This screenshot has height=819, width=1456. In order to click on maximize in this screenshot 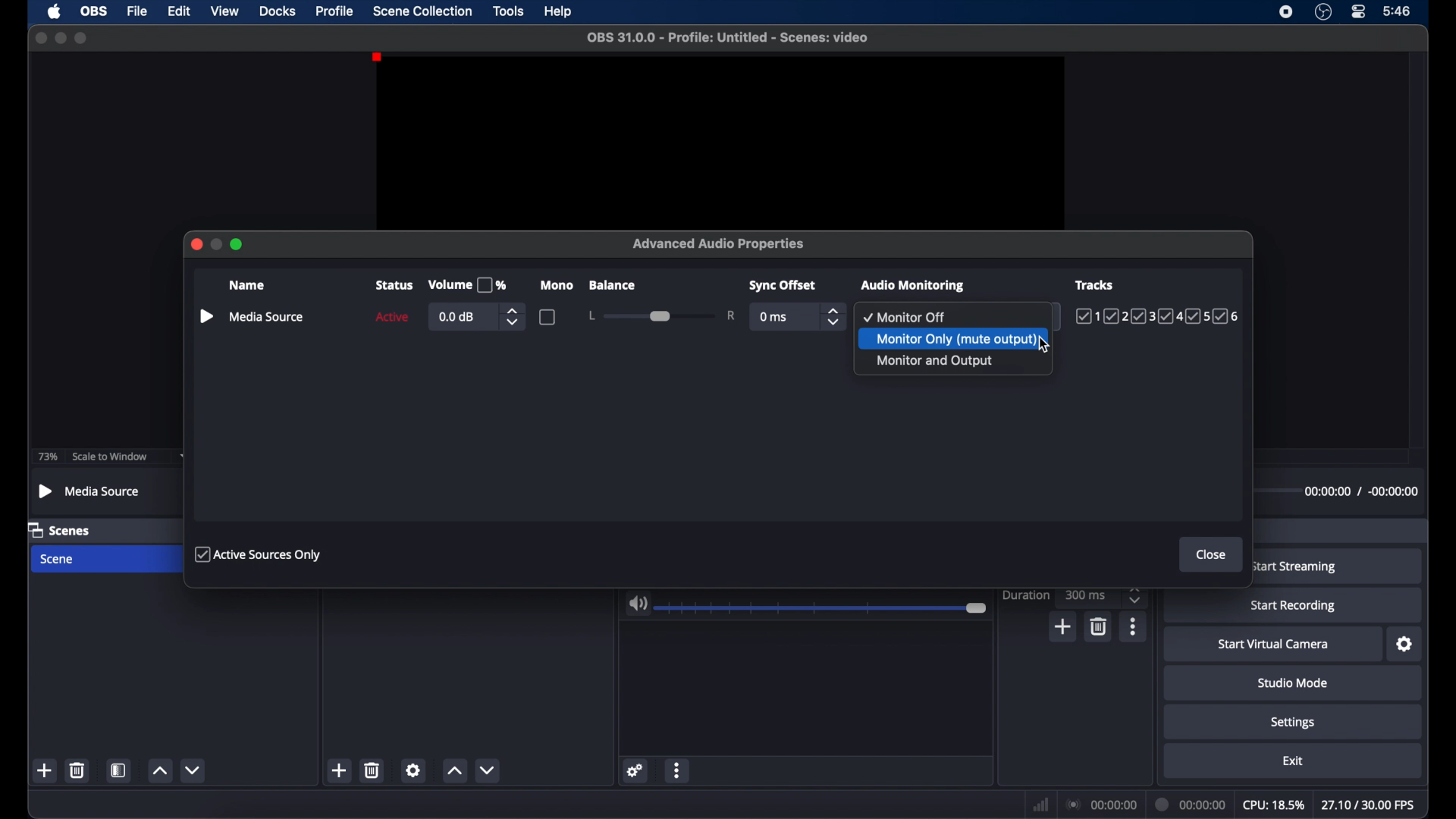, I will do `click(82, 38)`.